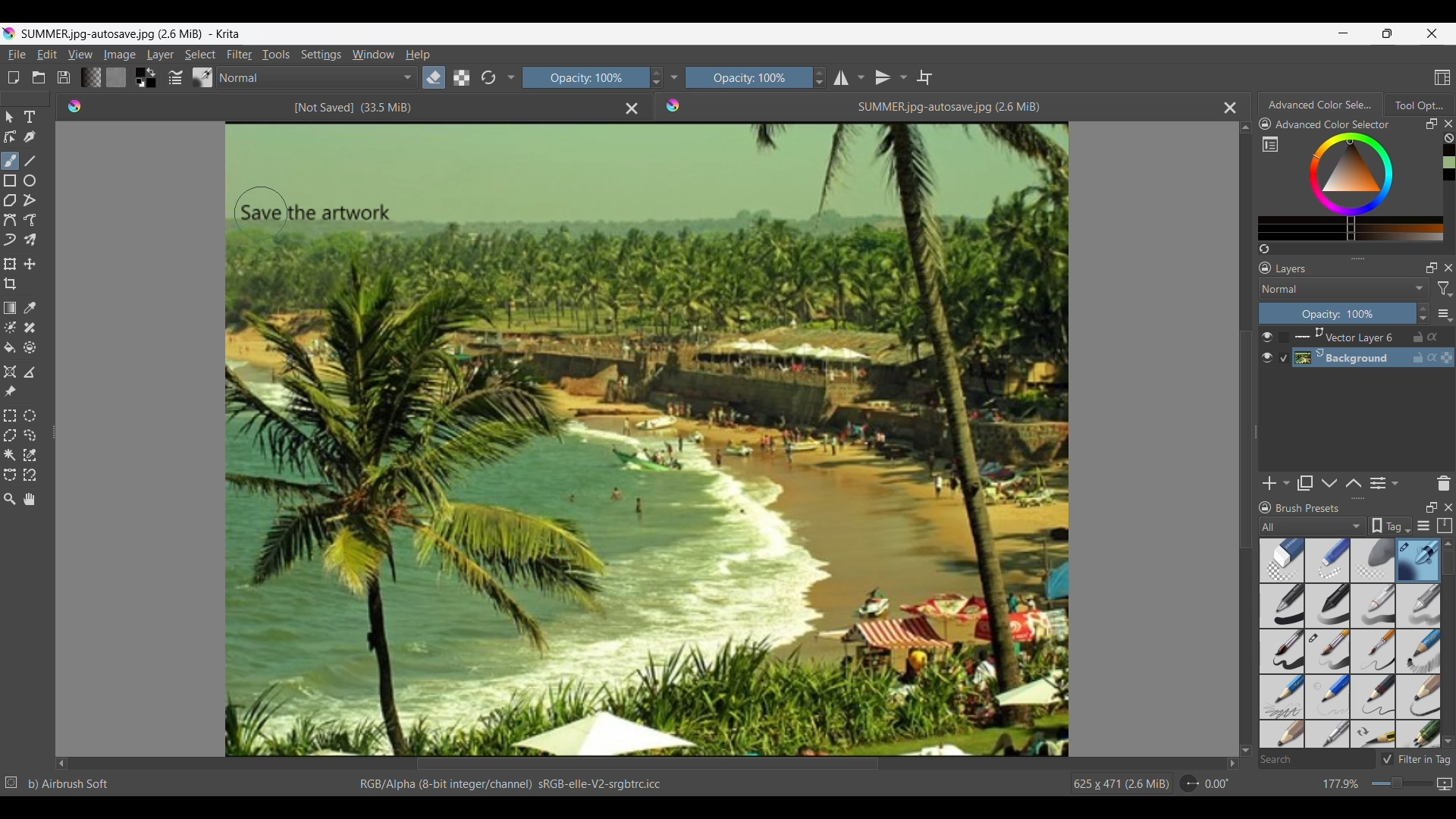 The image size is (1456, 819). I want to click on Polygonal selection tool, so click(11, 435).